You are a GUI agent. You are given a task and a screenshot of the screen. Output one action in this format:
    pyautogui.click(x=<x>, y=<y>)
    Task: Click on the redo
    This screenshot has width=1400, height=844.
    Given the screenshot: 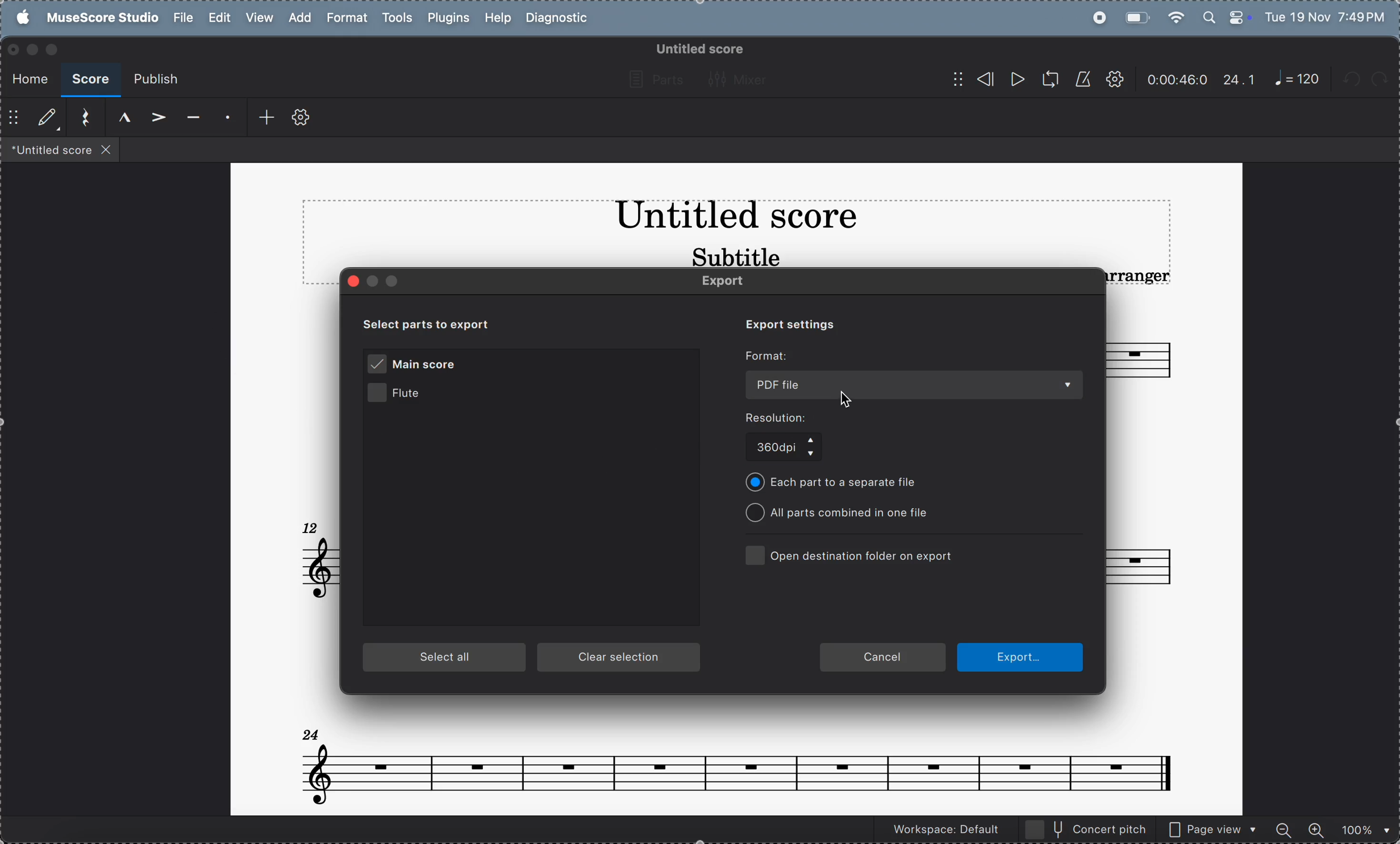 What is the action you would take?
    pyautogui.click(x=1386, y=80)
    